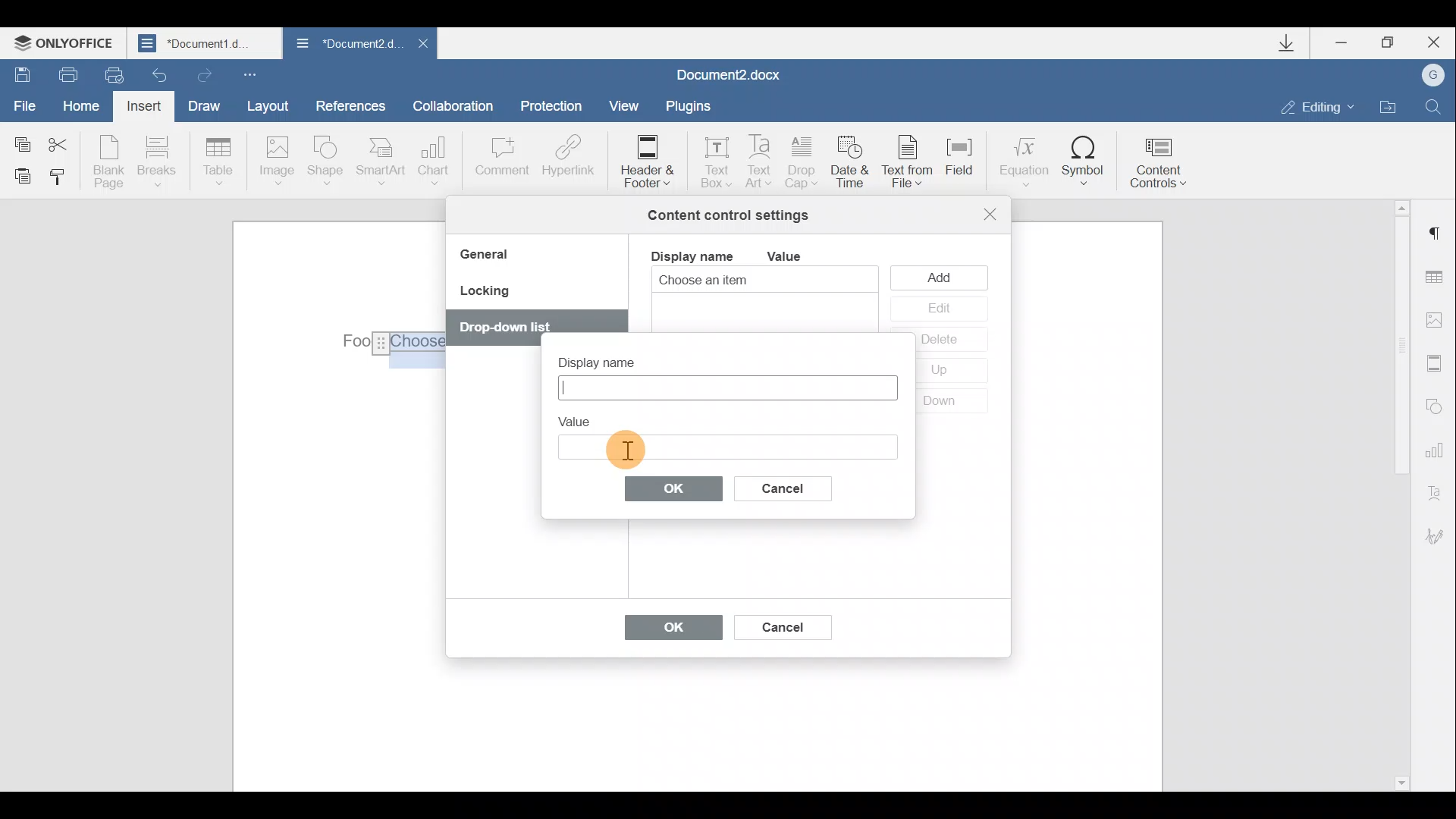  What do you see at coordinates (1388, 105) in the screenshot?
I see `Open file location` at bounding box center [1388, 105].